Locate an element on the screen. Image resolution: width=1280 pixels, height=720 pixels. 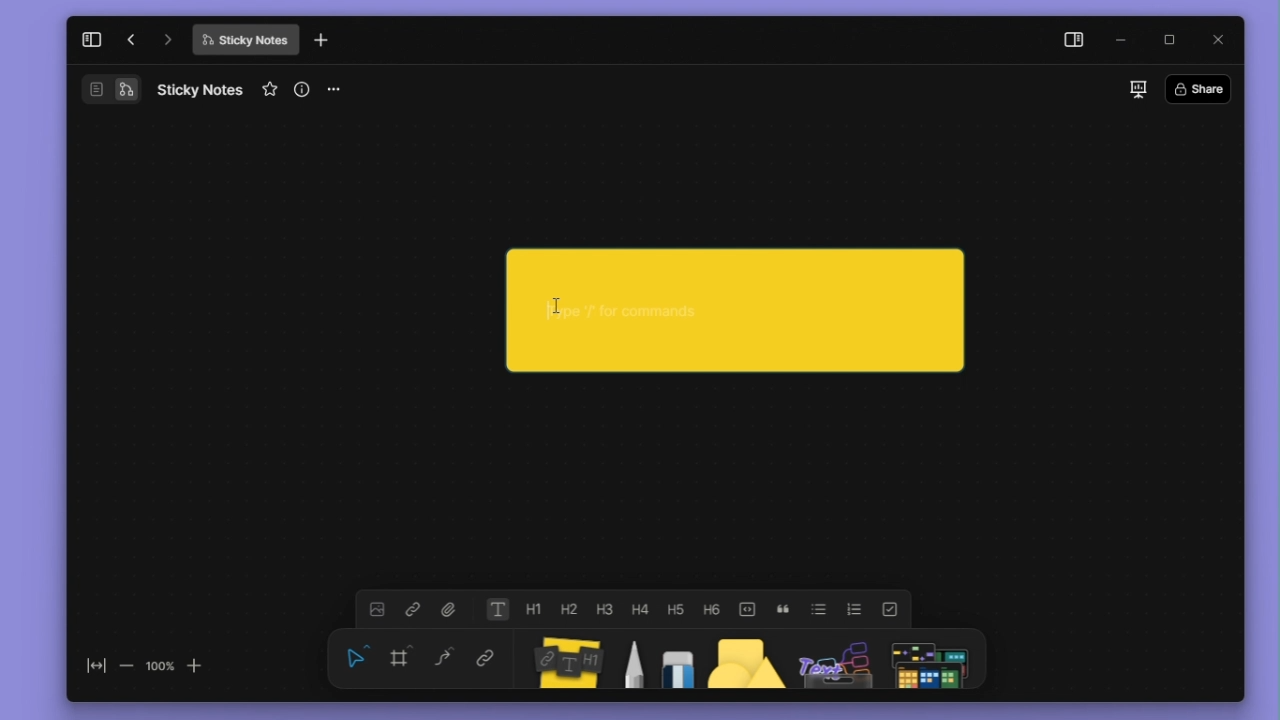
text is located at coordinates (501, 609).